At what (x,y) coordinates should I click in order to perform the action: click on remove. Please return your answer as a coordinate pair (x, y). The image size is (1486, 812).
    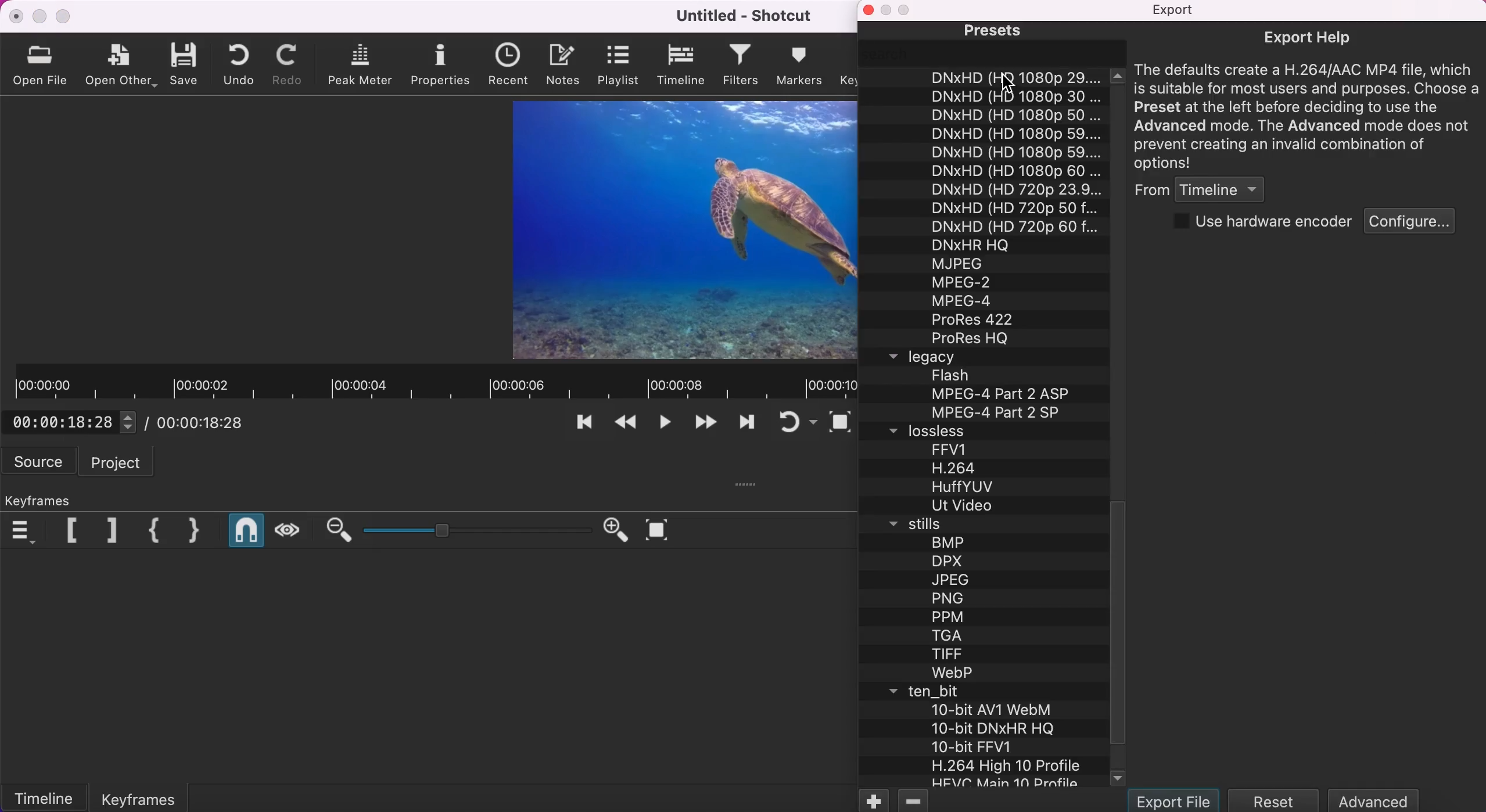
    Looking at the image, I should click on (915, 799).